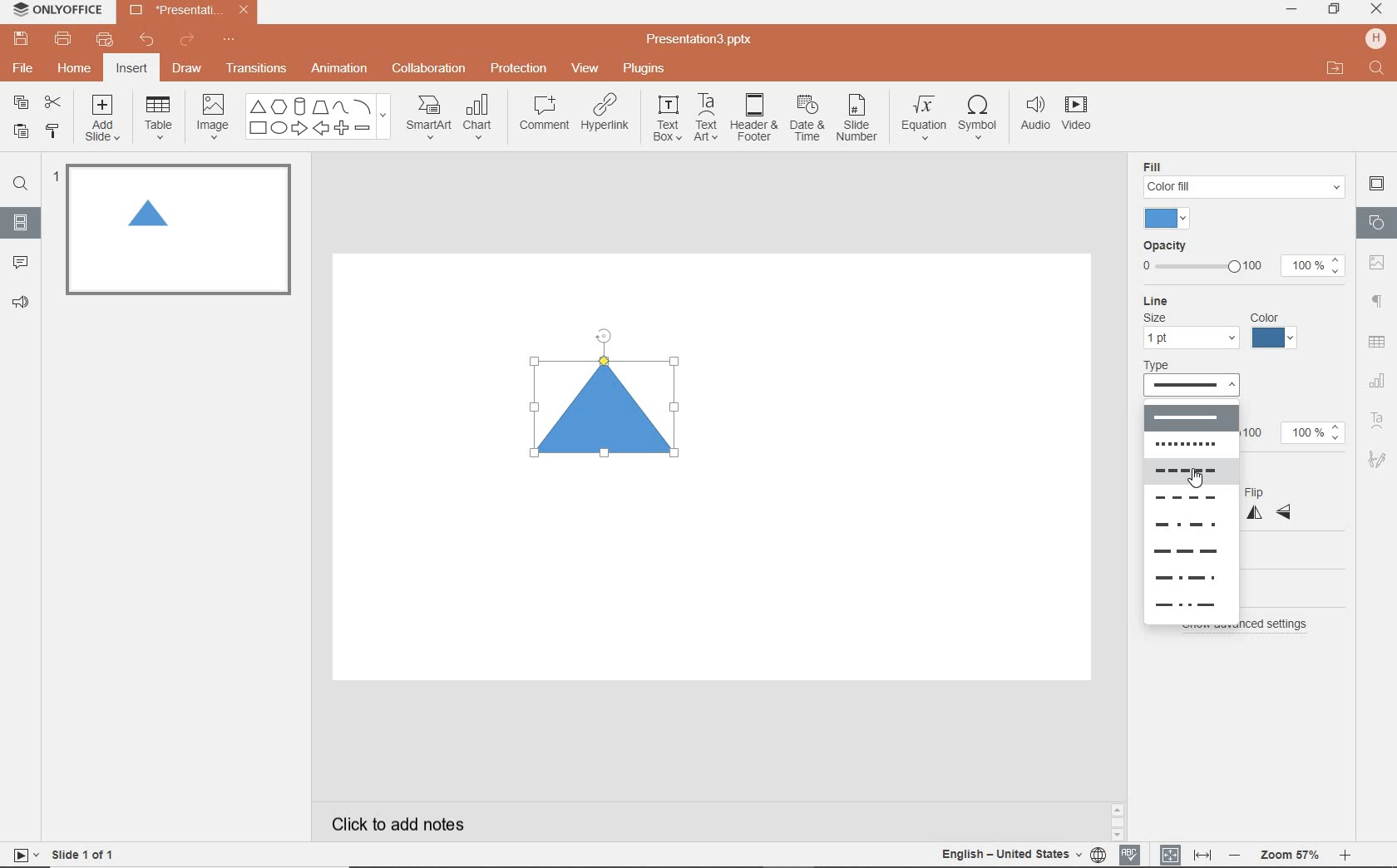 The width and height of the screenshot is (1397, 868). I want to click on COLLABORATION, so click(434, 70).